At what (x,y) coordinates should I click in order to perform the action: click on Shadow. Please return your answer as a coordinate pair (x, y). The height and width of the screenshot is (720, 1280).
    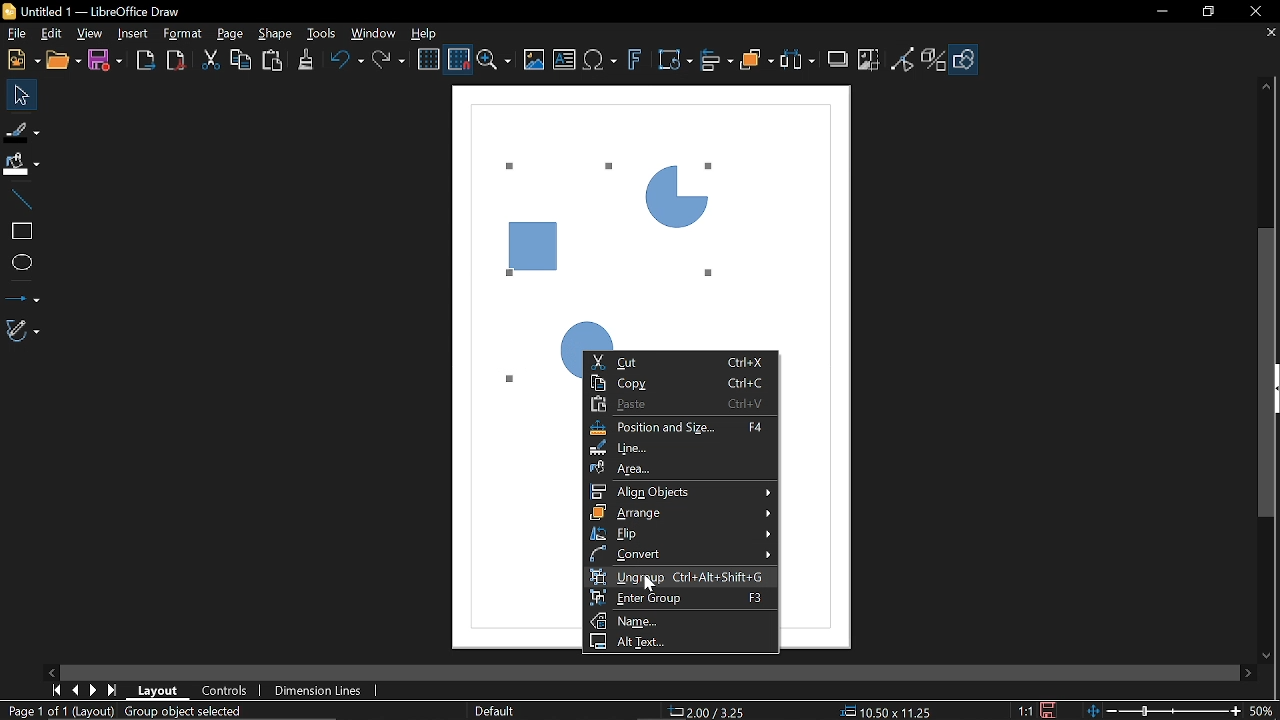
    Looking at the image, I should click on (838, 60).